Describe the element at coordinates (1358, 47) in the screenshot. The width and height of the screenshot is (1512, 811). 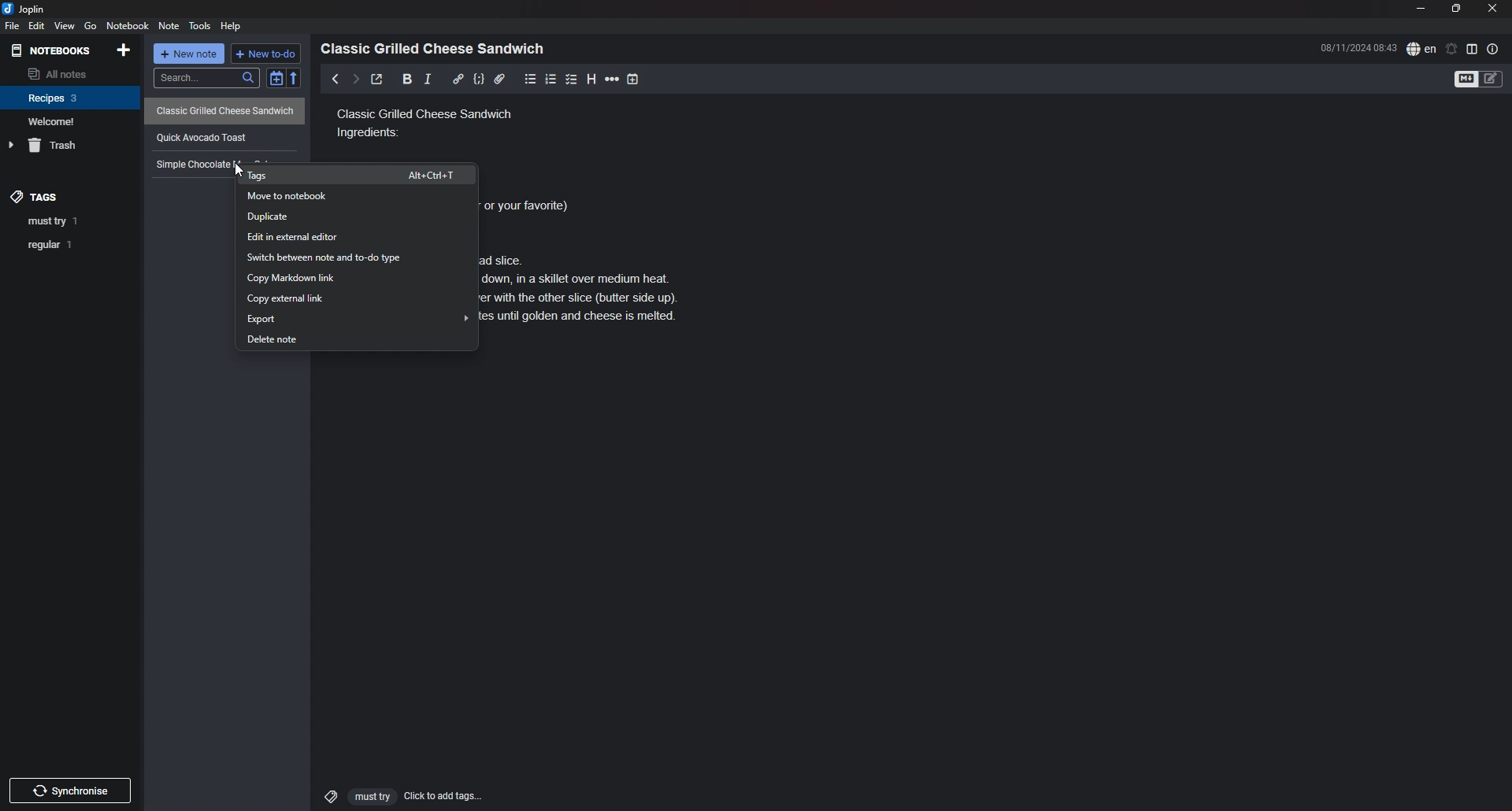
I see `time` at that location.